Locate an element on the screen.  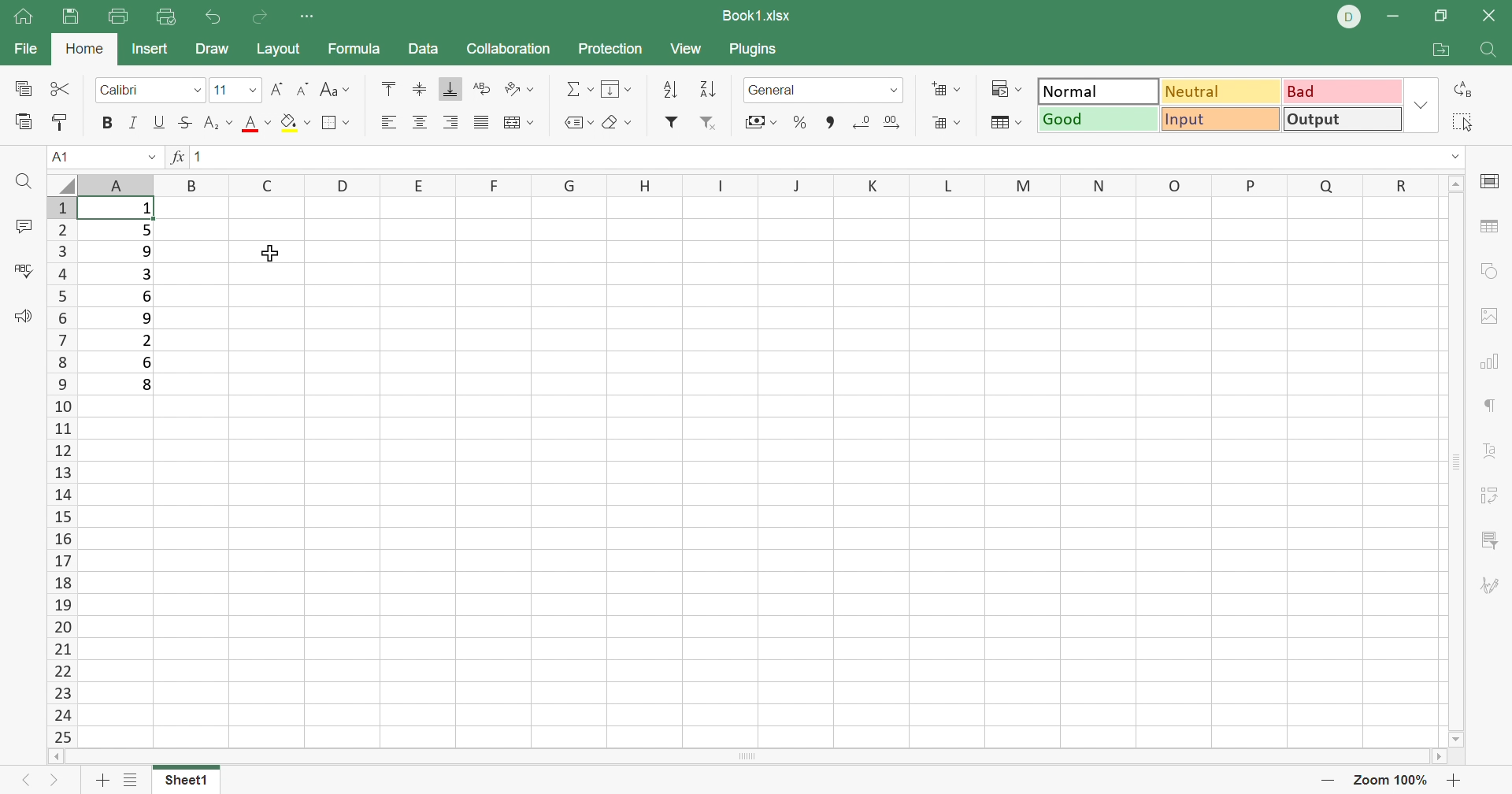
Named ranges is located at coordinates (577, 121).